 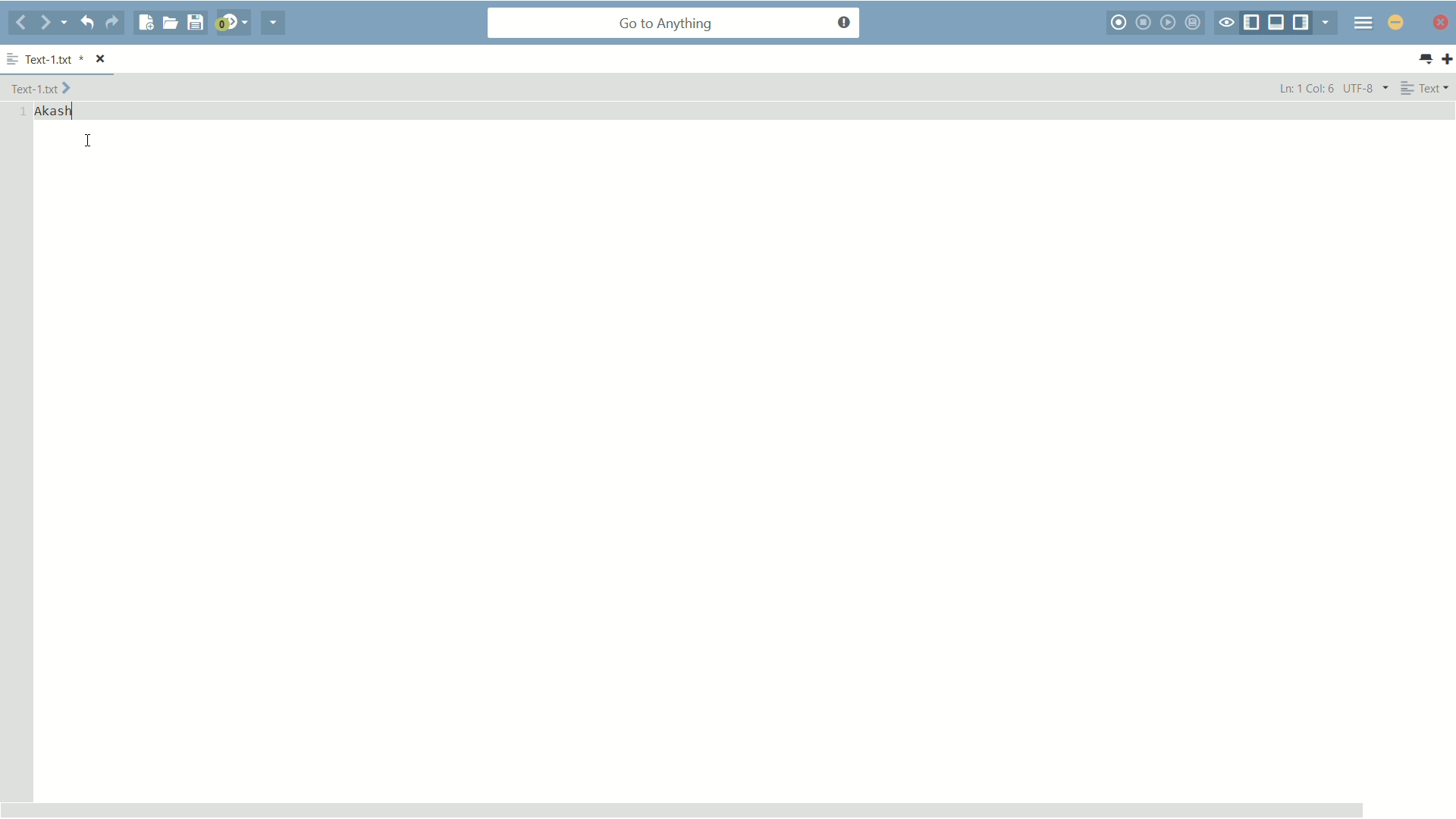 What do you see at coordinates (1326, 22) in the screenshot?
I see `show specific sidebar/tab` at bounding box center [1326, 22].